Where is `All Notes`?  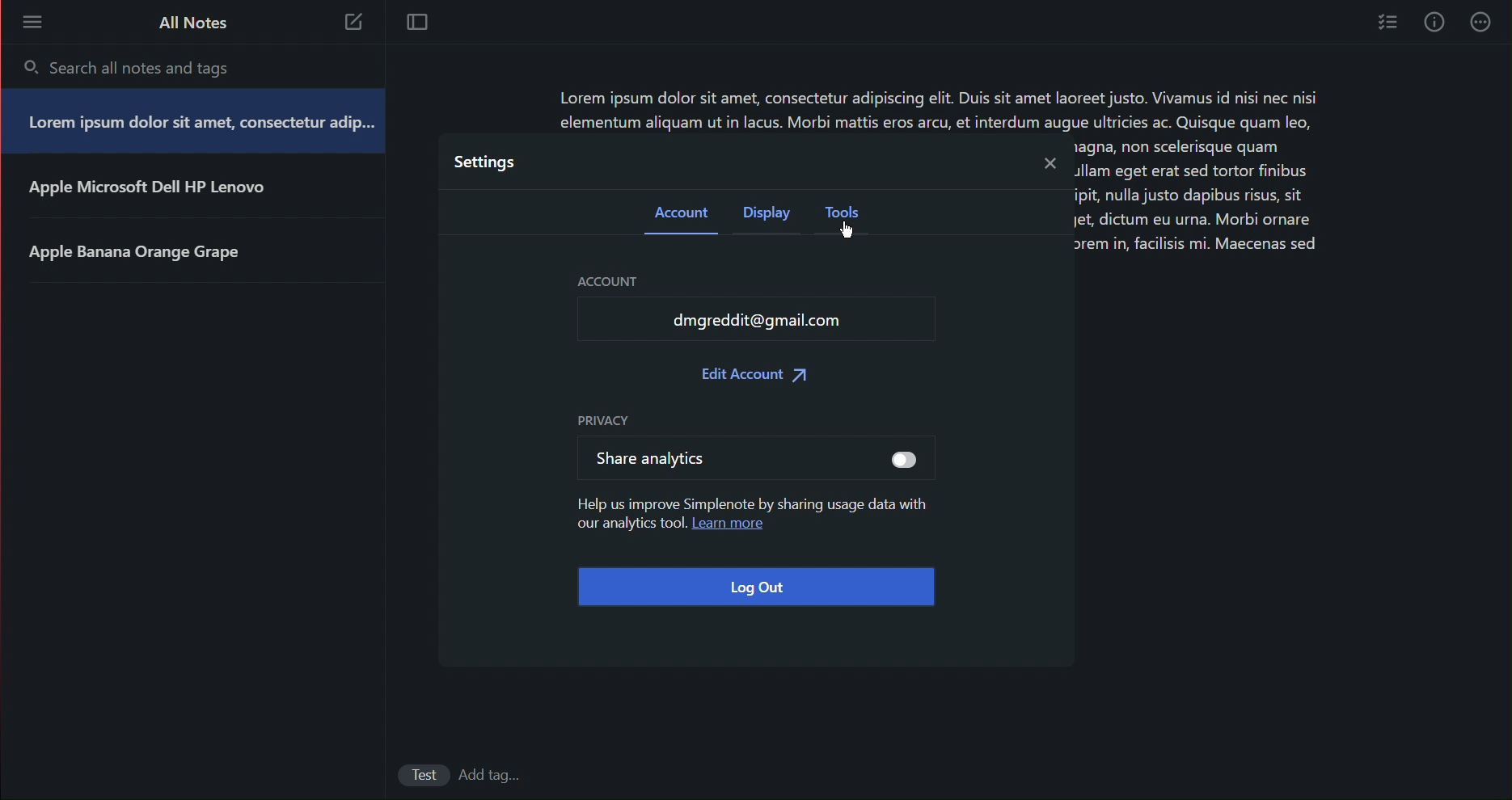
All Notes is located at coordinates (190, 24).